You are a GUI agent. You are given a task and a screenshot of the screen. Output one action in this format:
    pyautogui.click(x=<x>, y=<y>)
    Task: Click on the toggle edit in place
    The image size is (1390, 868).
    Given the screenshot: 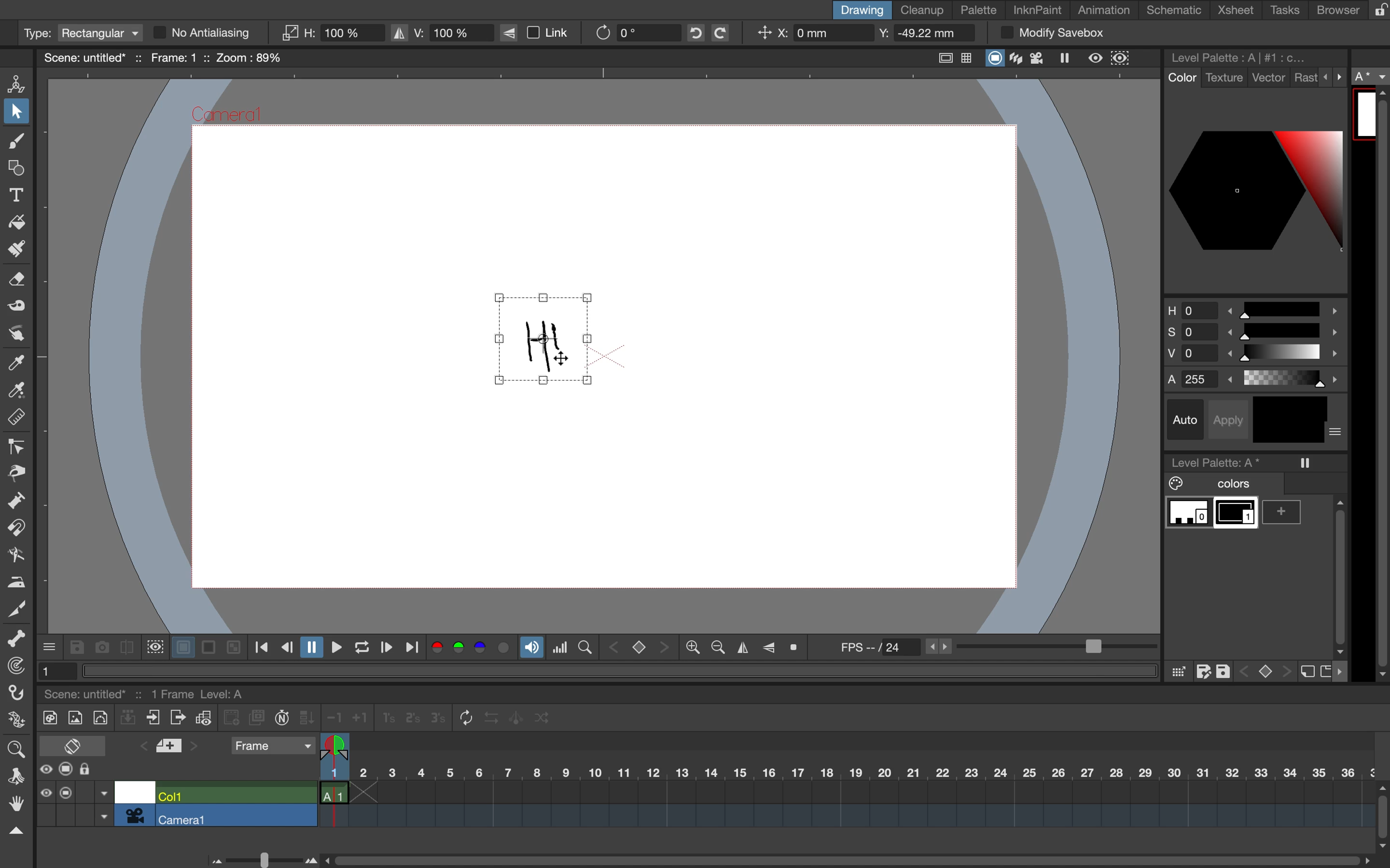 What is the action you would take?
    pyautogui.click(x=203, y=720)
    